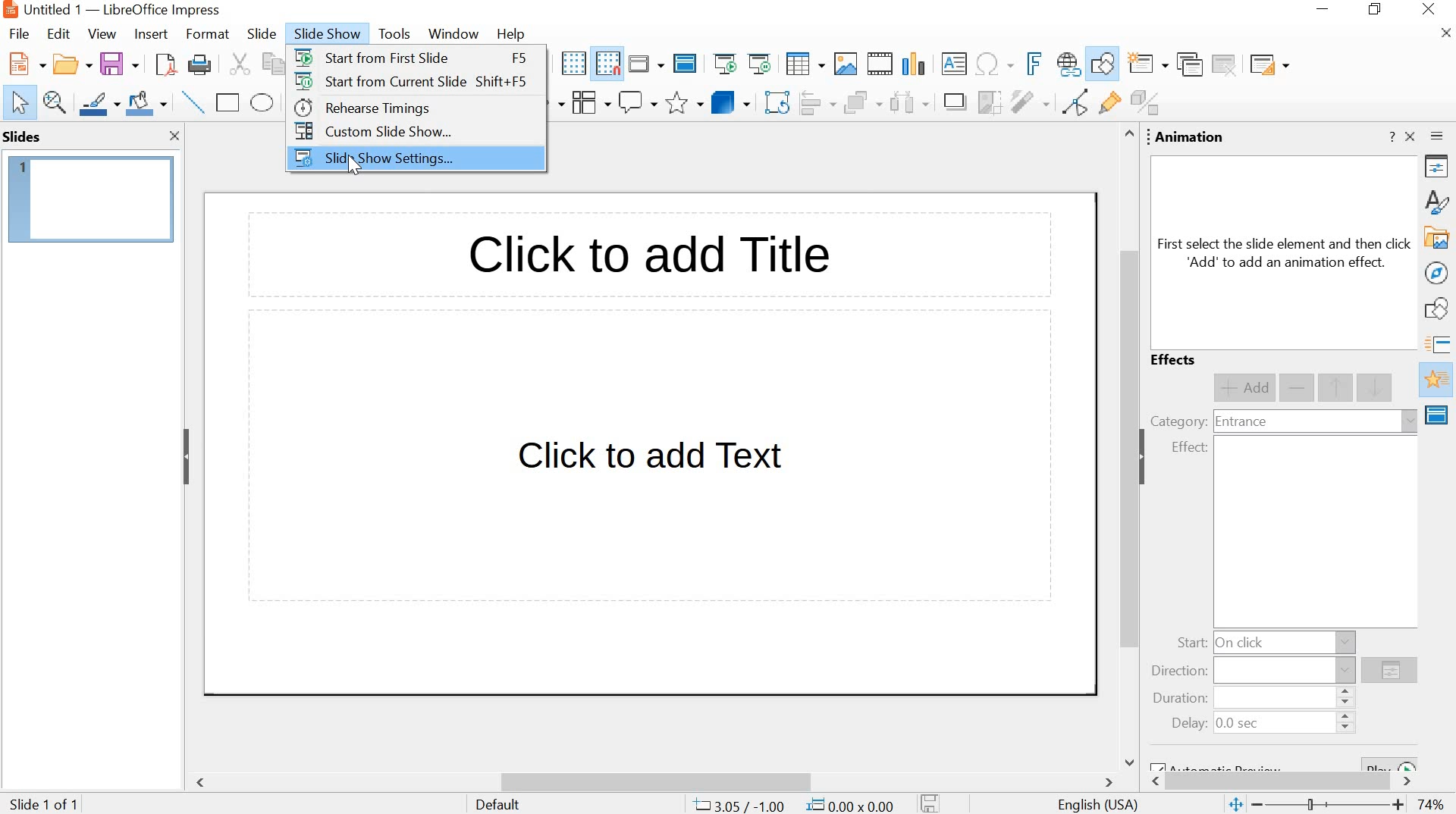 Image resolution: width=1456 pixels, height=814 pixels. I want to click on text, so click(1285, 253).